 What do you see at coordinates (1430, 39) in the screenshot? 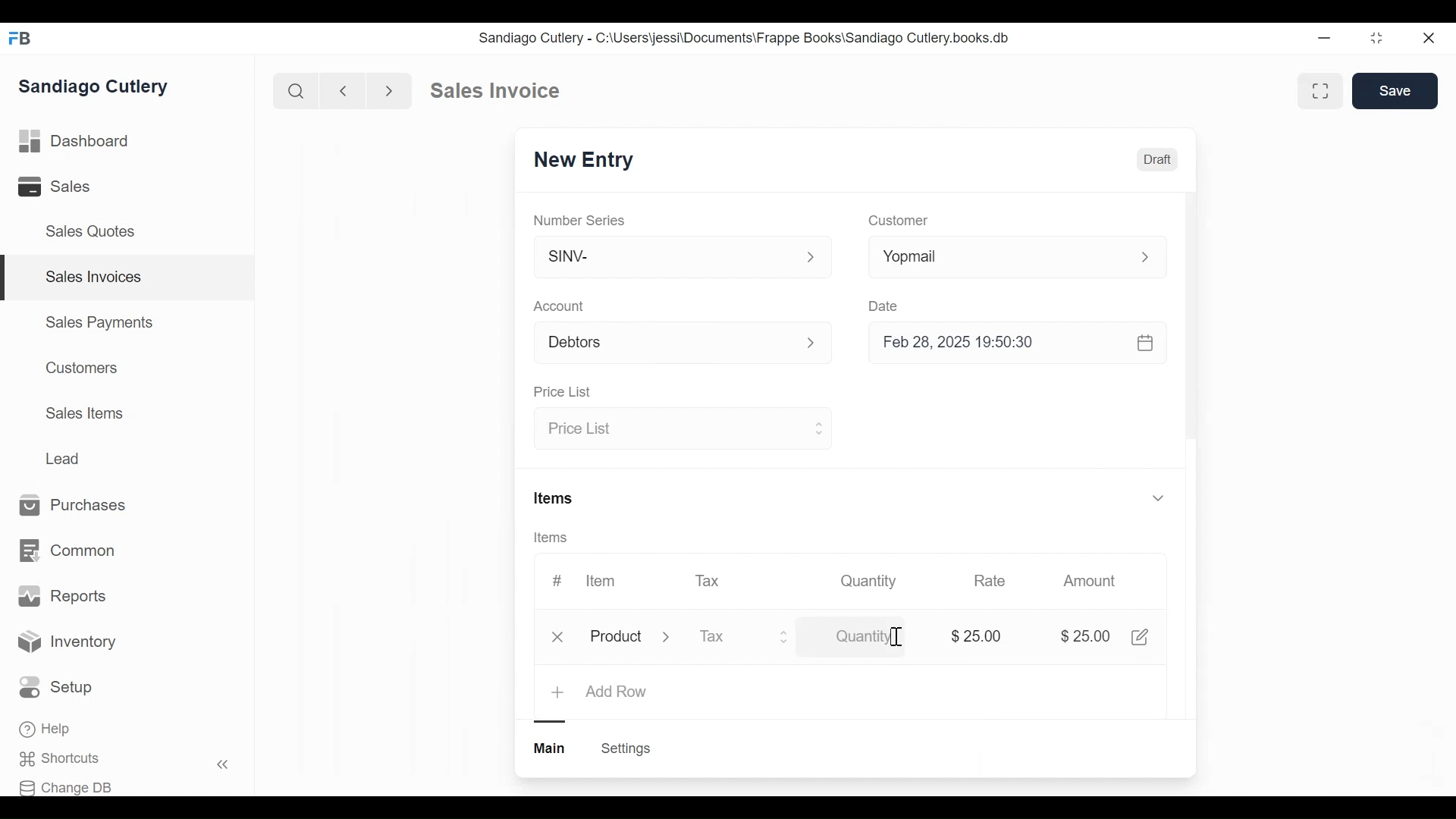
I see `close` at bounding box center [1430, 39].